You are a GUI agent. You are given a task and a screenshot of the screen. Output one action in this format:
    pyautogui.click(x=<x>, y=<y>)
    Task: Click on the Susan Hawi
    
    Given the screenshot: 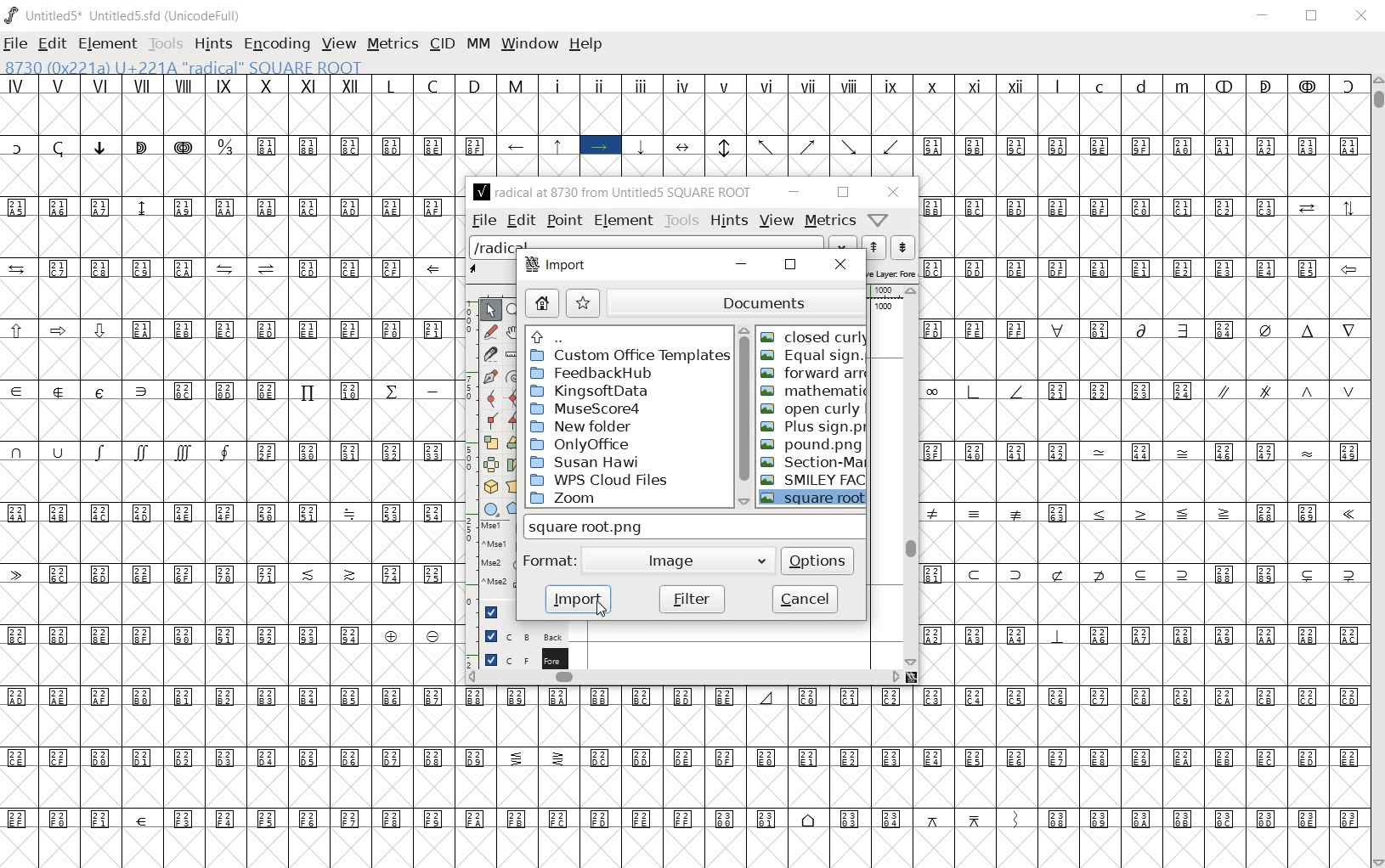 What is the action you would take?
    pyautogui.click(x=583, y=462)
    